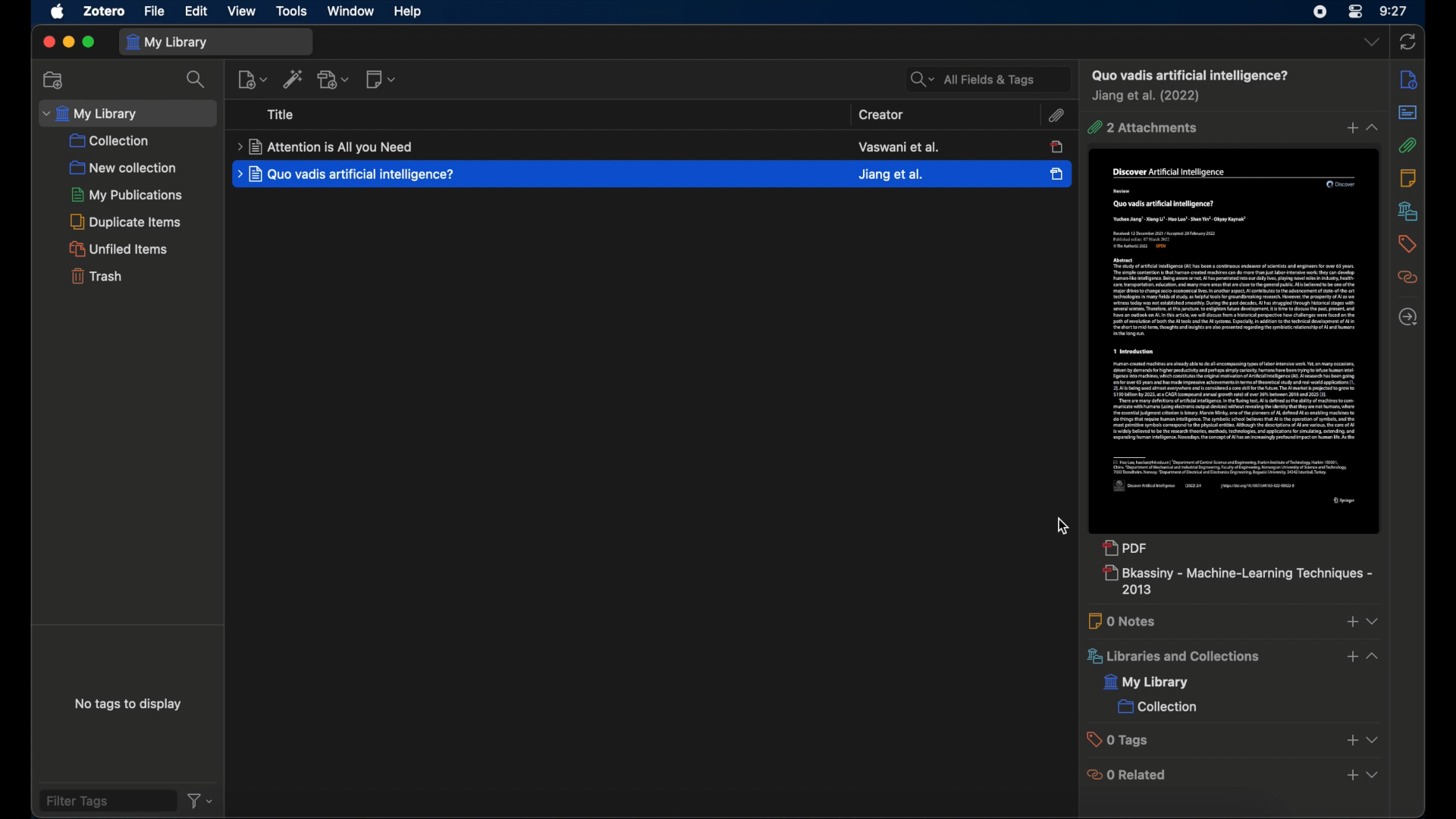 Image resolution: width=1456 pixels, height=819 pixels. Describe the element at coordinates (1130, 774) in the screenshot. I see `0 related` at that location.